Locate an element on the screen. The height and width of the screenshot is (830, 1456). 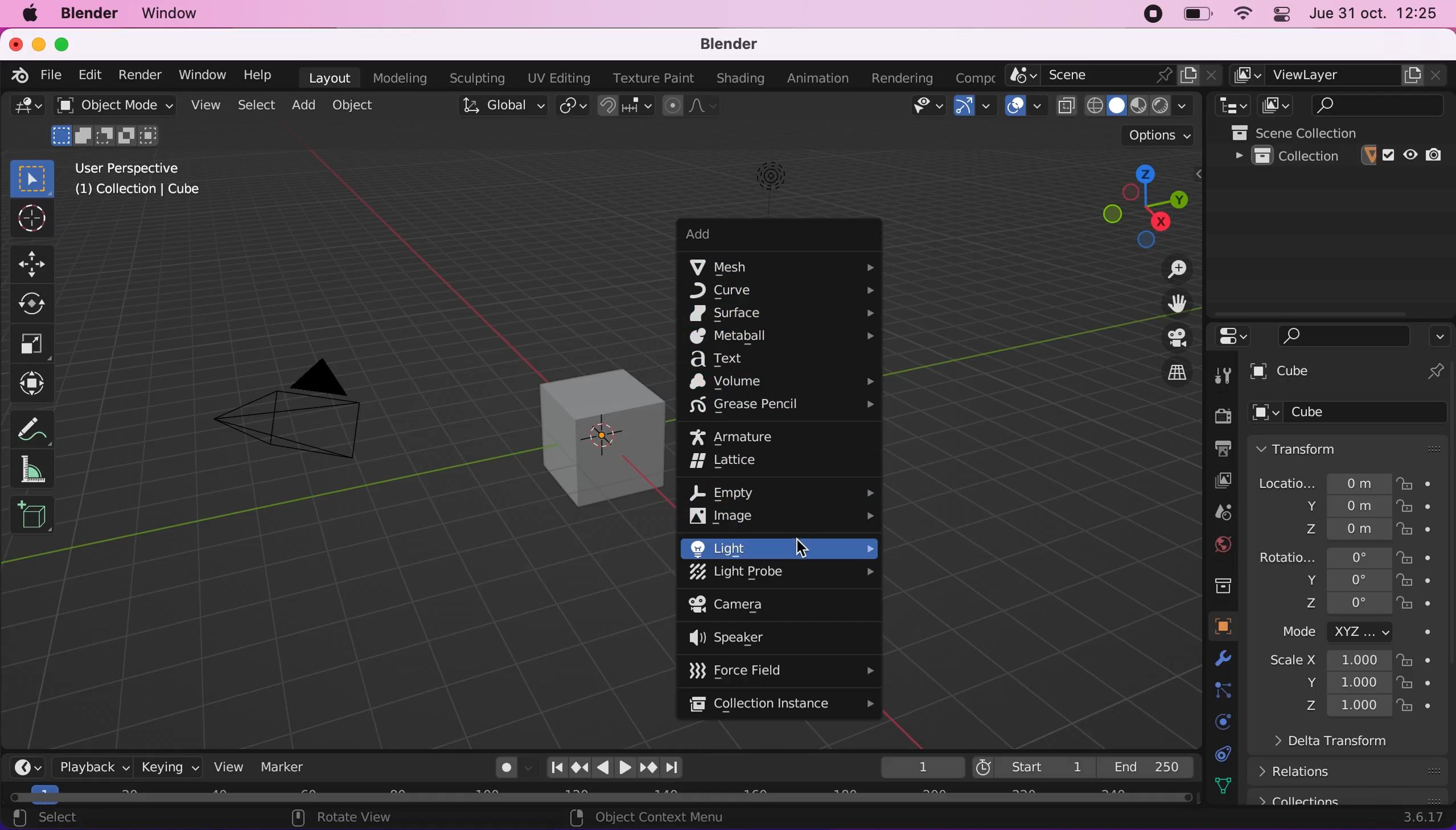
auto keying is located at coordinates (503, 767).